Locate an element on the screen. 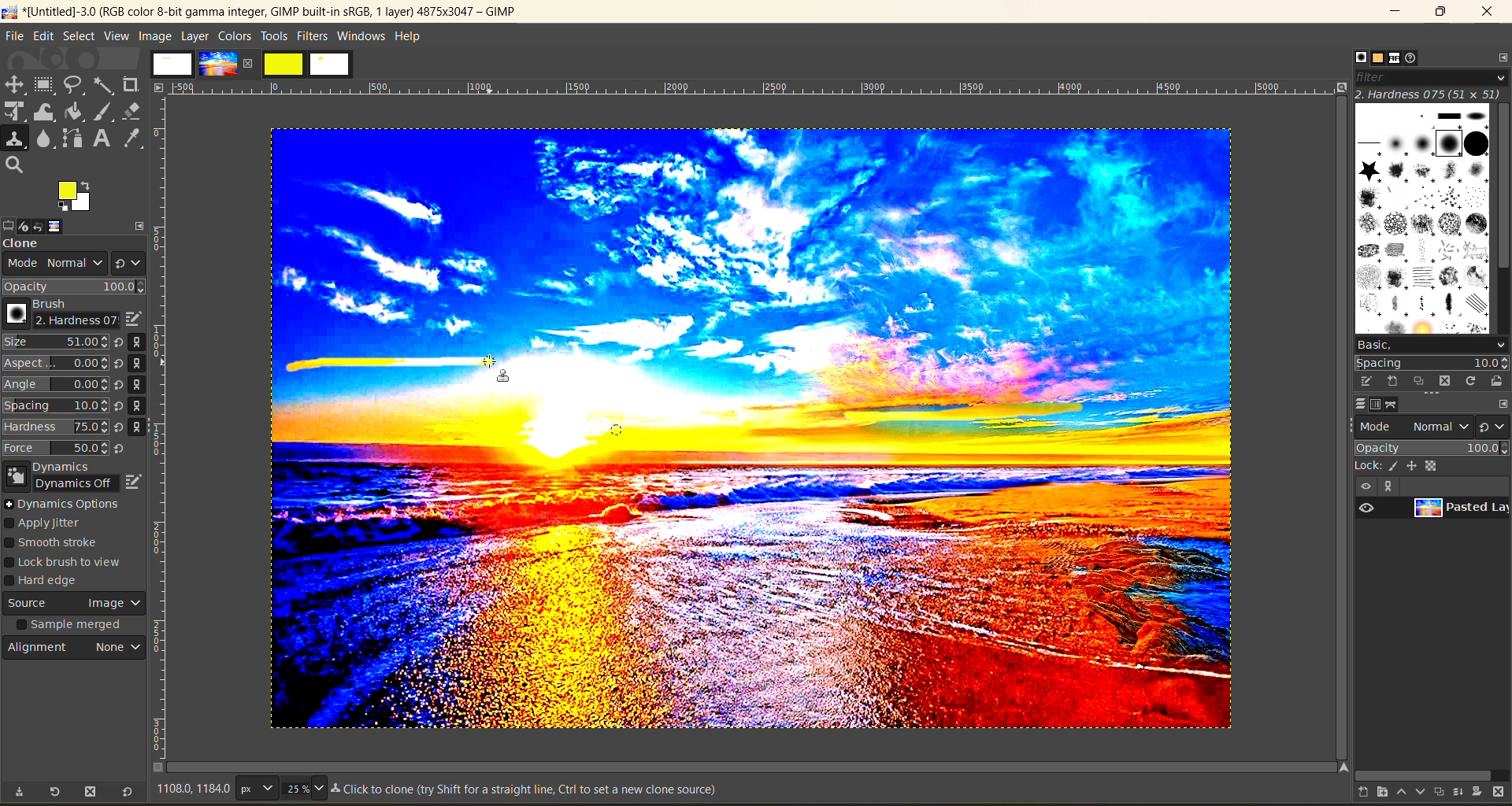 This screenshot has width=1512, height=806. lower this layer is located at coordinates (1416, 793).